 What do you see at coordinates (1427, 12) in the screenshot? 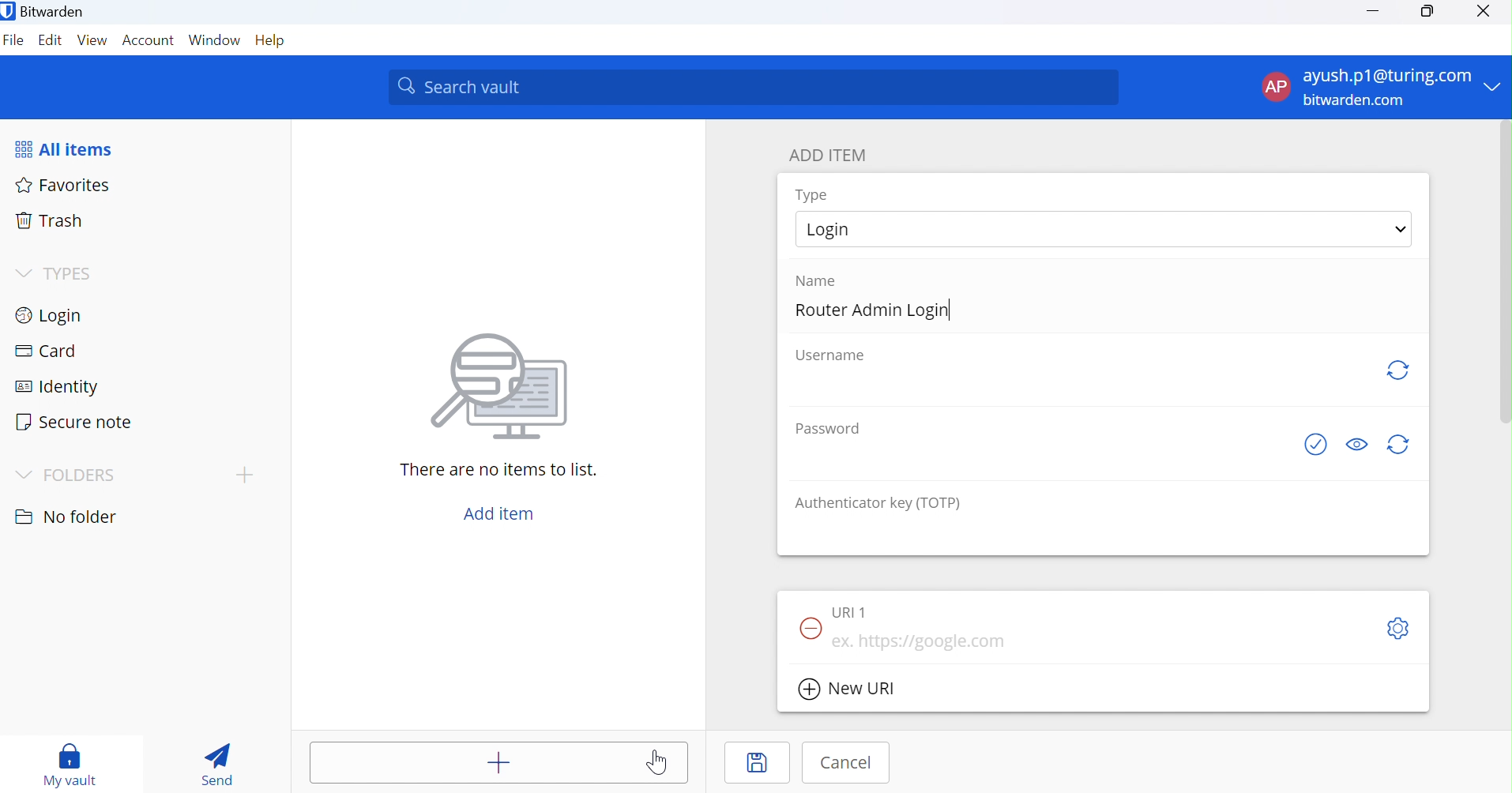
I see `Restore Down` at bounding box center [1427, 12].